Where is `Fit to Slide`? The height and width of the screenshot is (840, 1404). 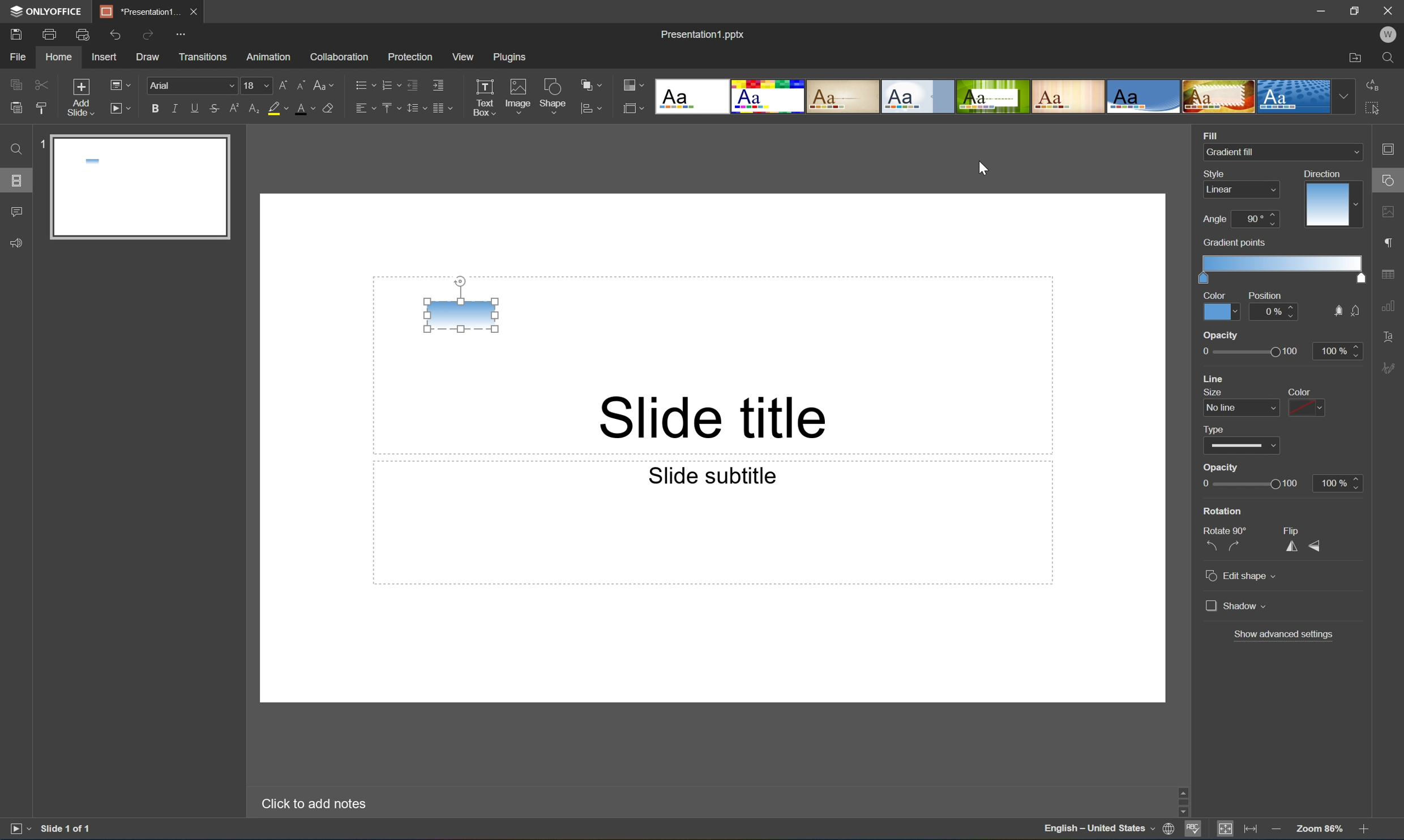
Fit to Slide is located at coordinates (1228, 829).